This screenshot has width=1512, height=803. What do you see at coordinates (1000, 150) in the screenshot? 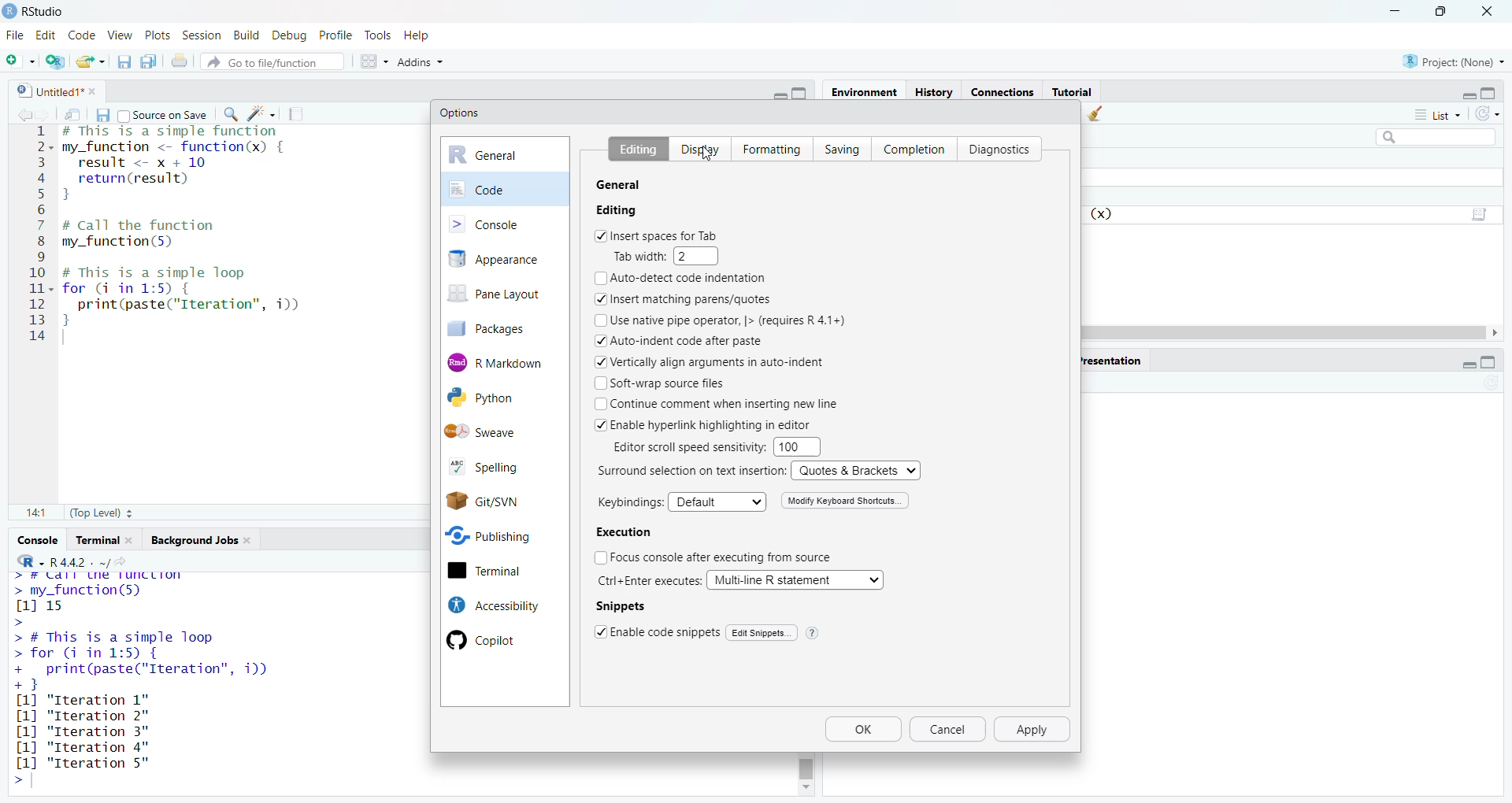
I see `Diagnostics` at bounding box center [1000, 150].